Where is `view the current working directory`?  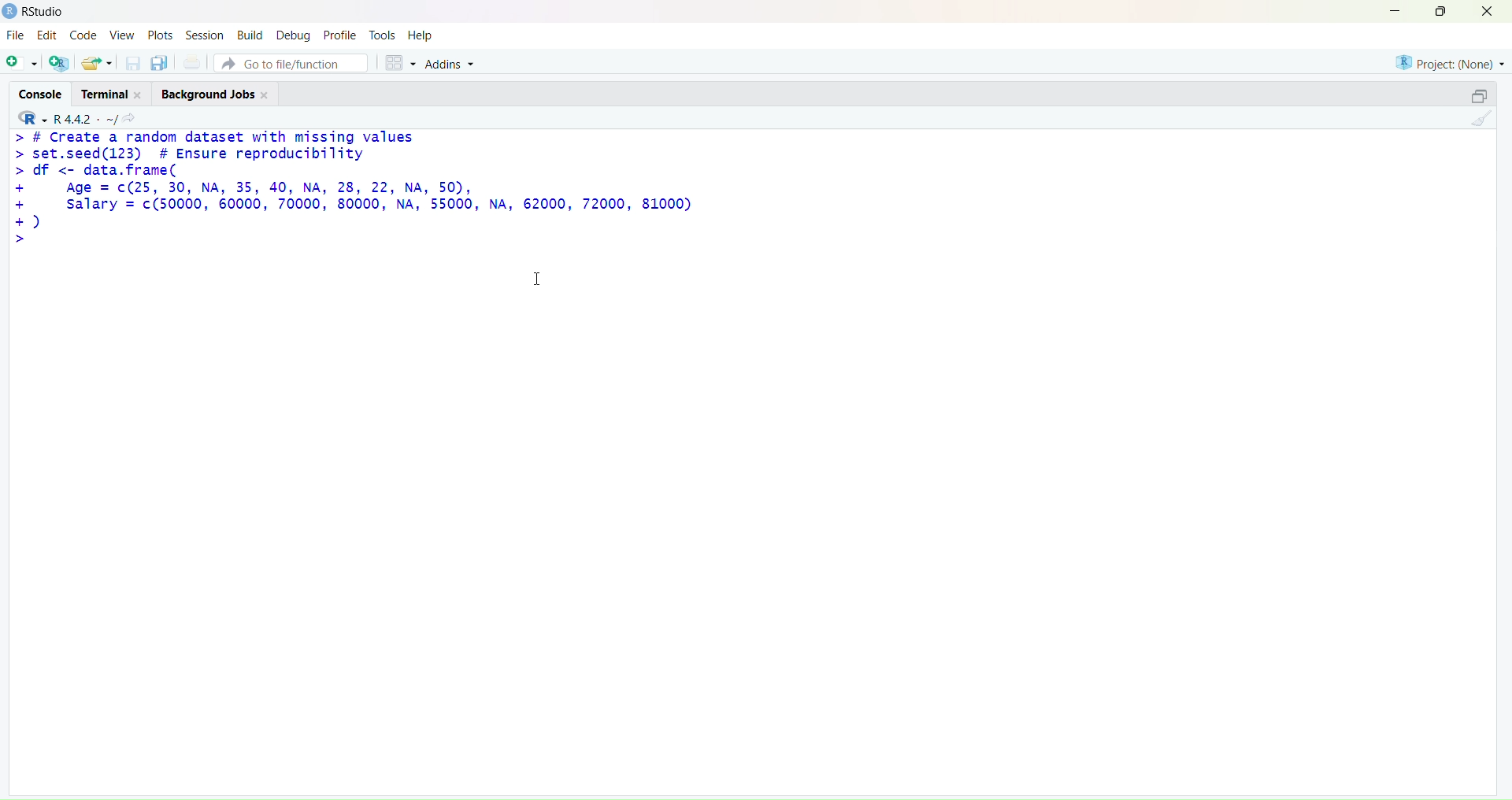 view the current working directory is located at coordinates (130, 118).